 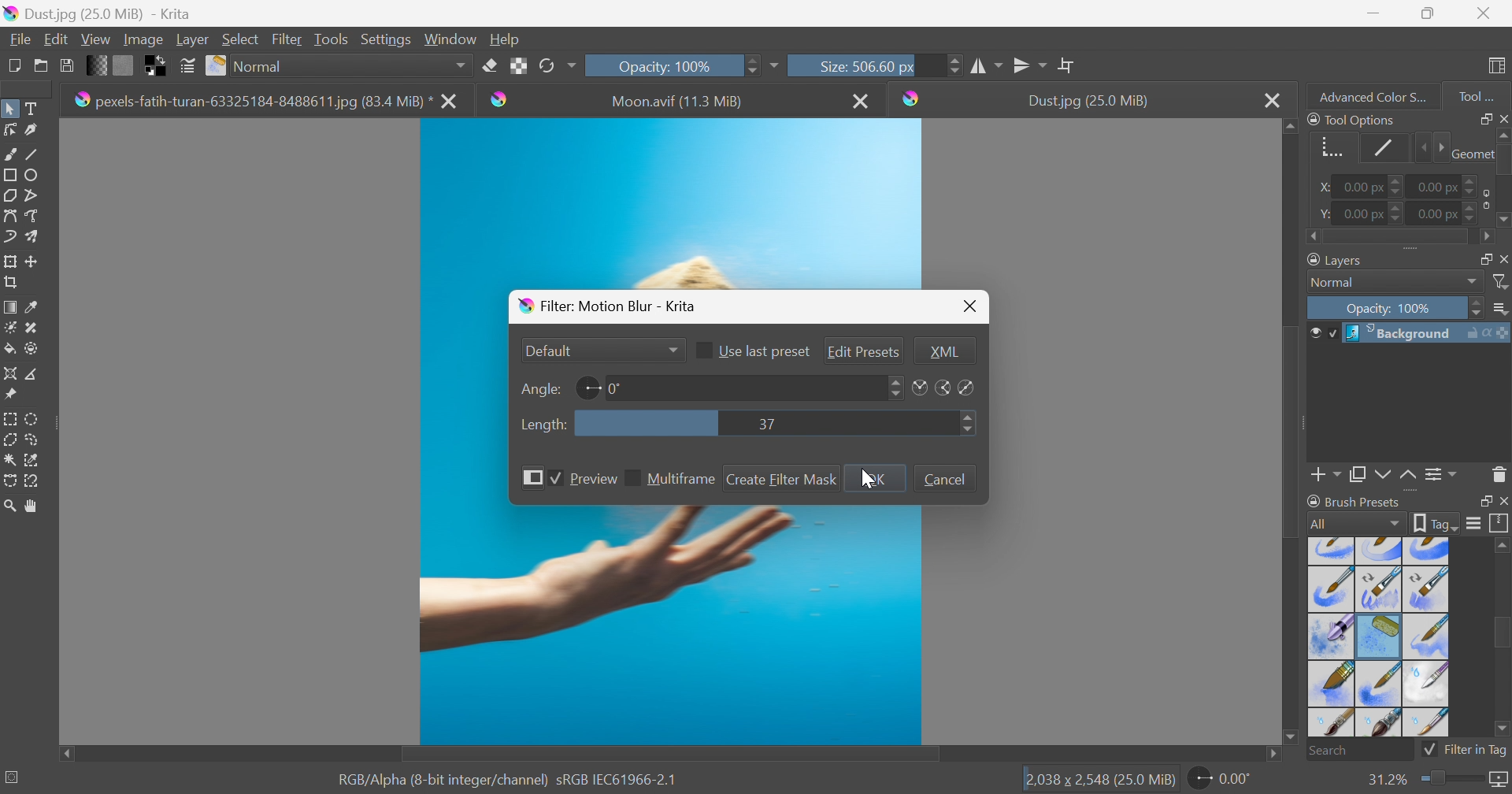 I want to click on Slider, so click(x=954, y=65).